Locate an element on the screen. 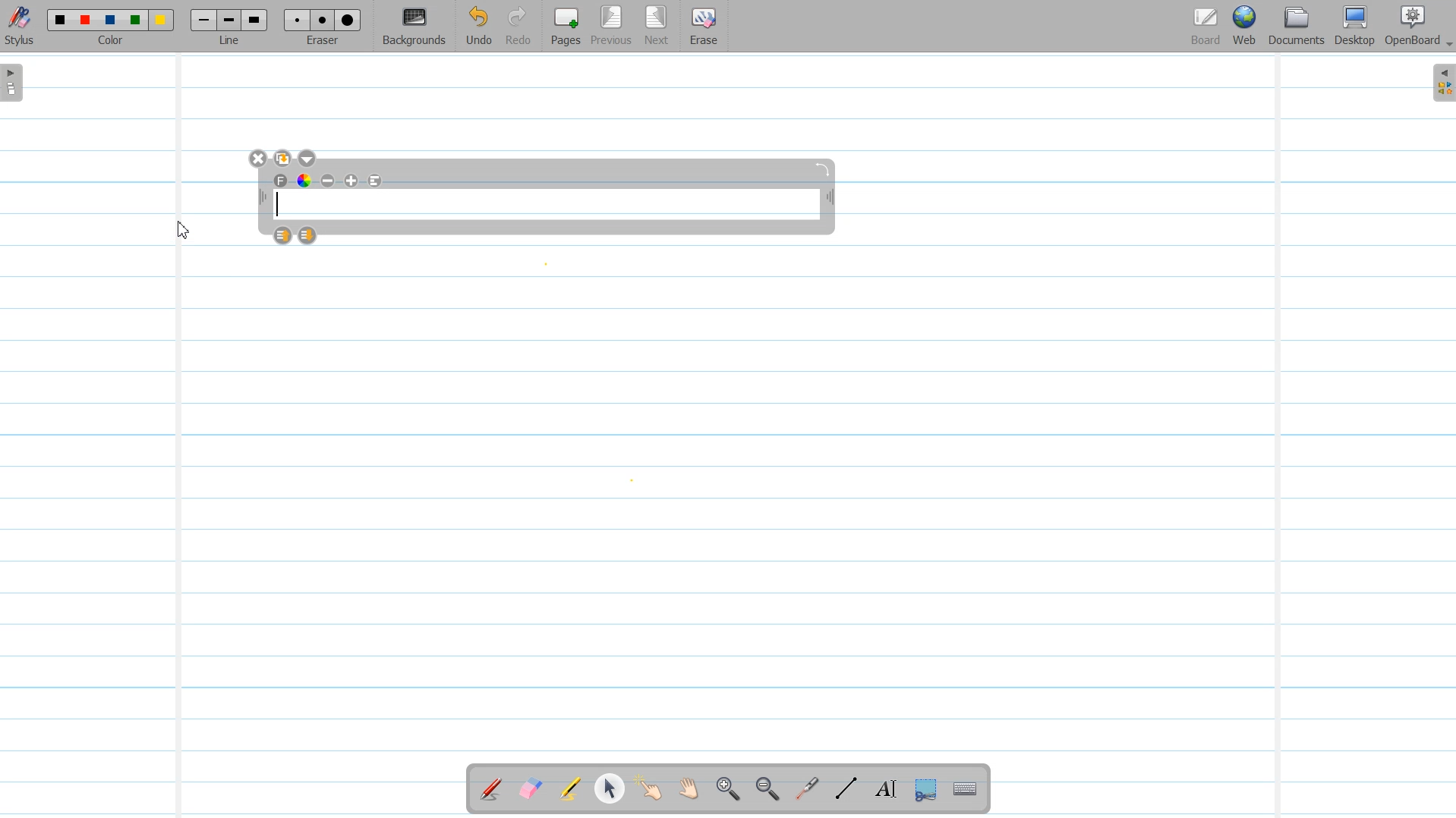 The image size is (1456, 818). Next is located at coordinates (657, 27).